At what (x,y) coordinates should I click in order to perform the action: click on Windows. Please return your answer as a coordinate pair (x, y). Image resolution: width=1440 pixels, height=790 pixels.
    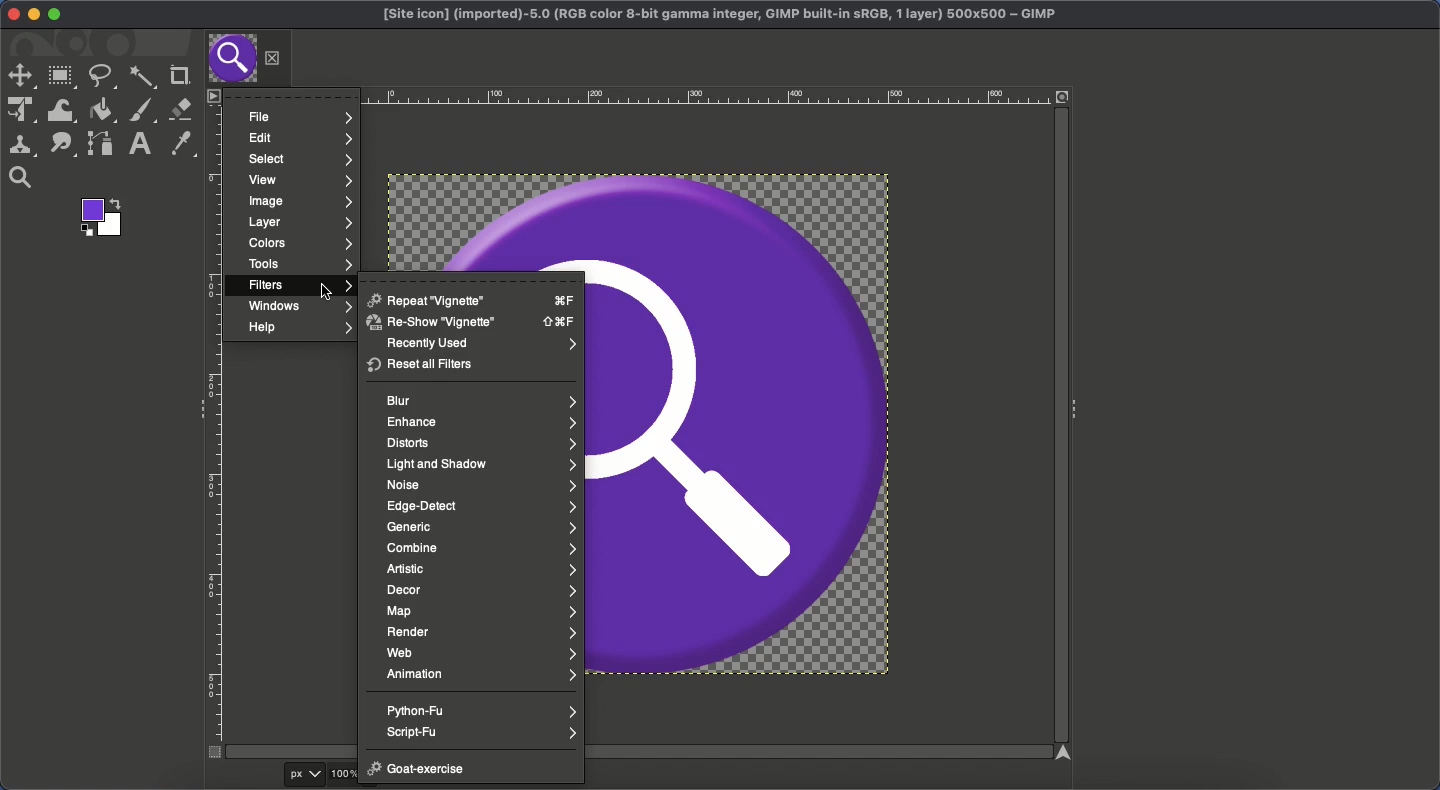
    Looking at the image, I should click on (297, 307).